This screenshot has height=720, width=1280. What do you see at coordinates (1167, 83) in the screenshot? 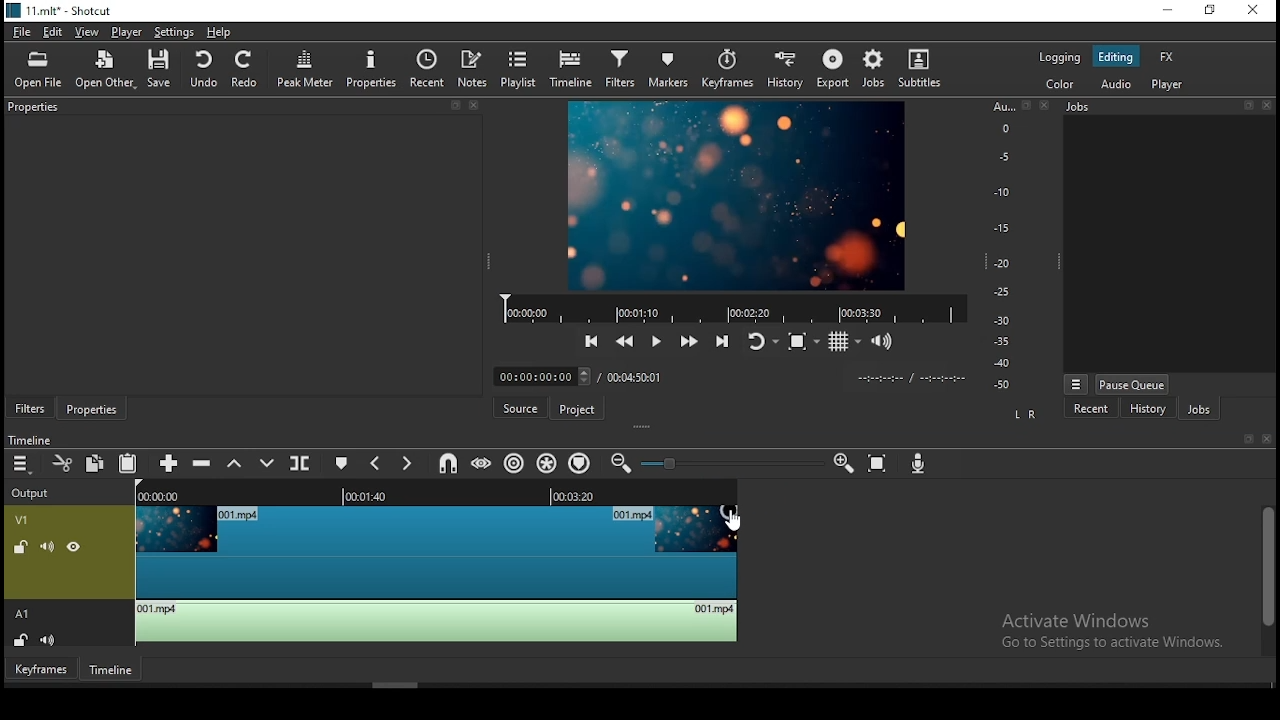
I see `player` at bounding box center [1167, 83].